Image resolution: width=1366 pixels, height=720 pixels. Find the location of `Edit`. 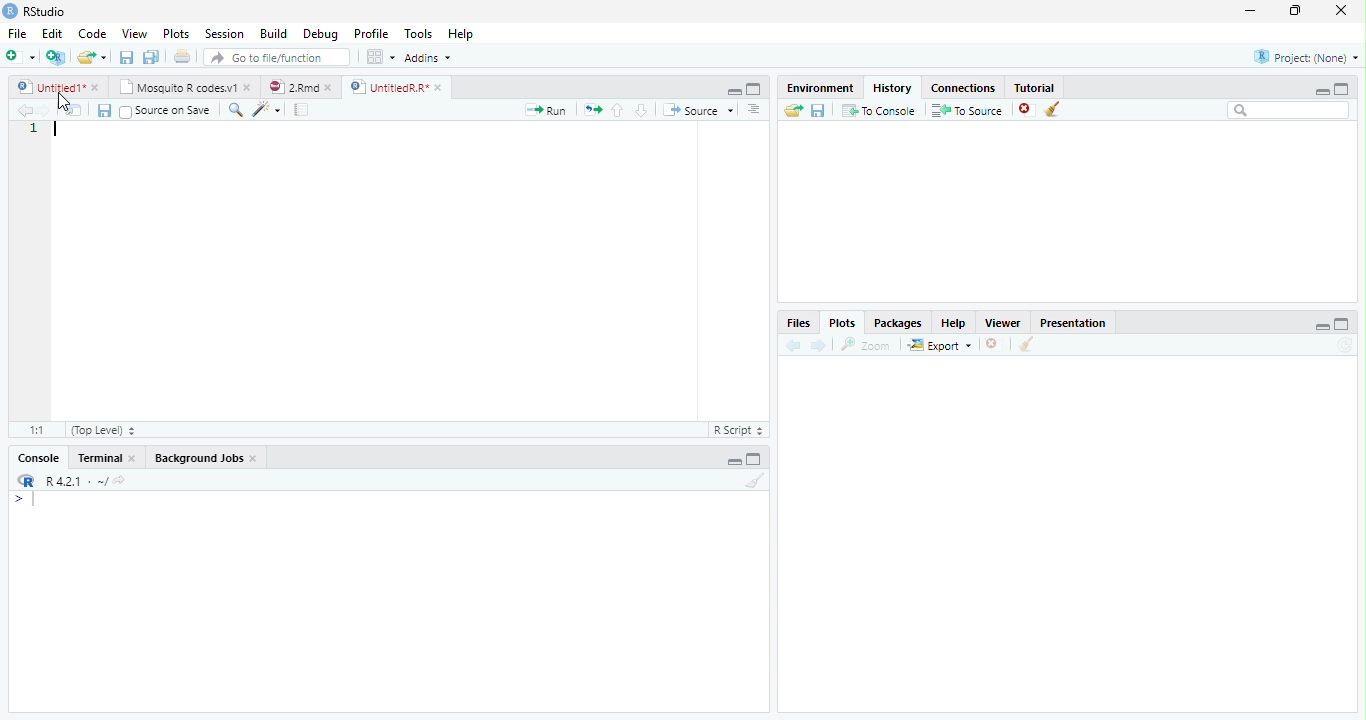

Edit is located at coordinates (50, 33).